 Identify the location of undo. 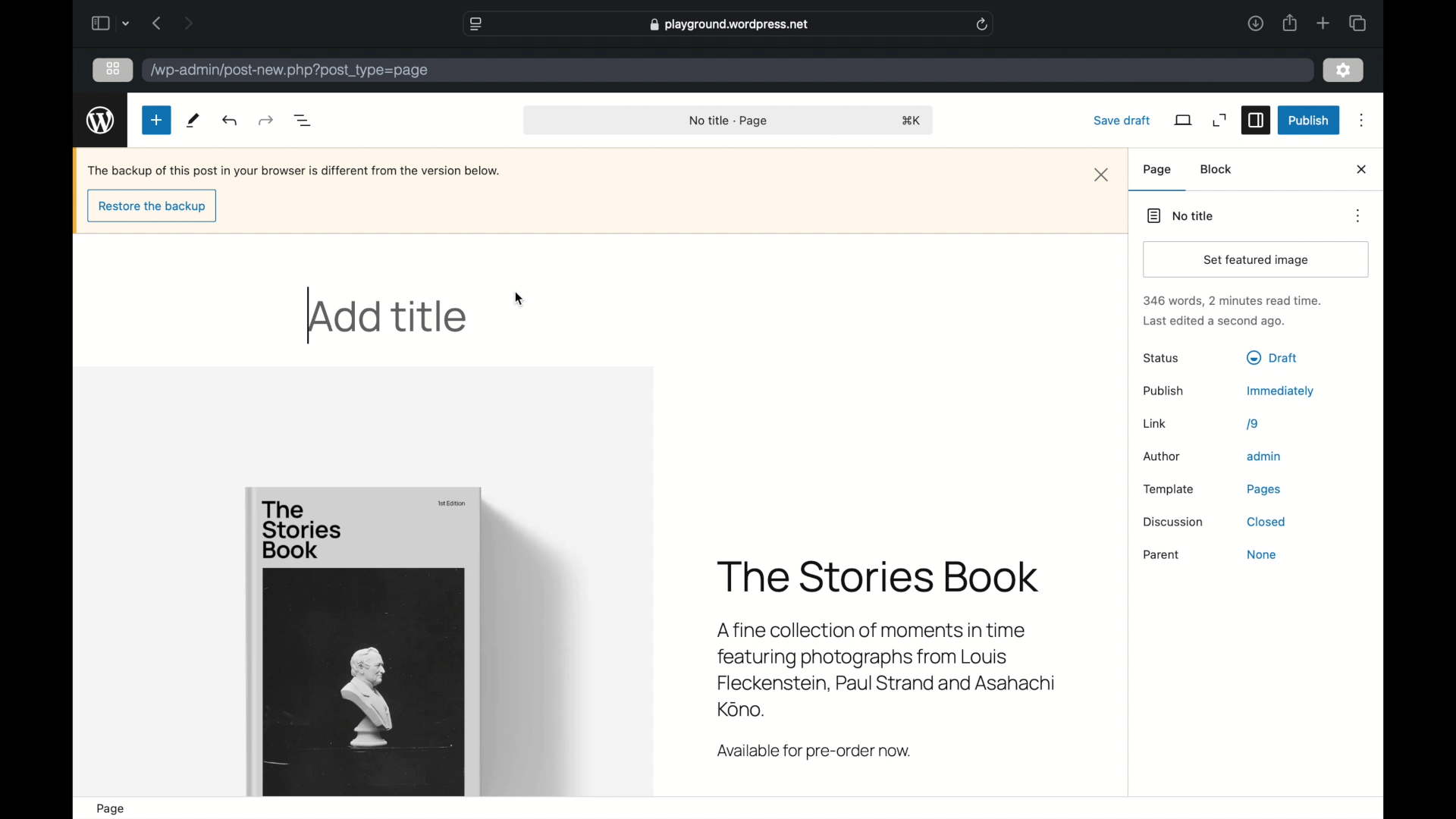
(267, 121).